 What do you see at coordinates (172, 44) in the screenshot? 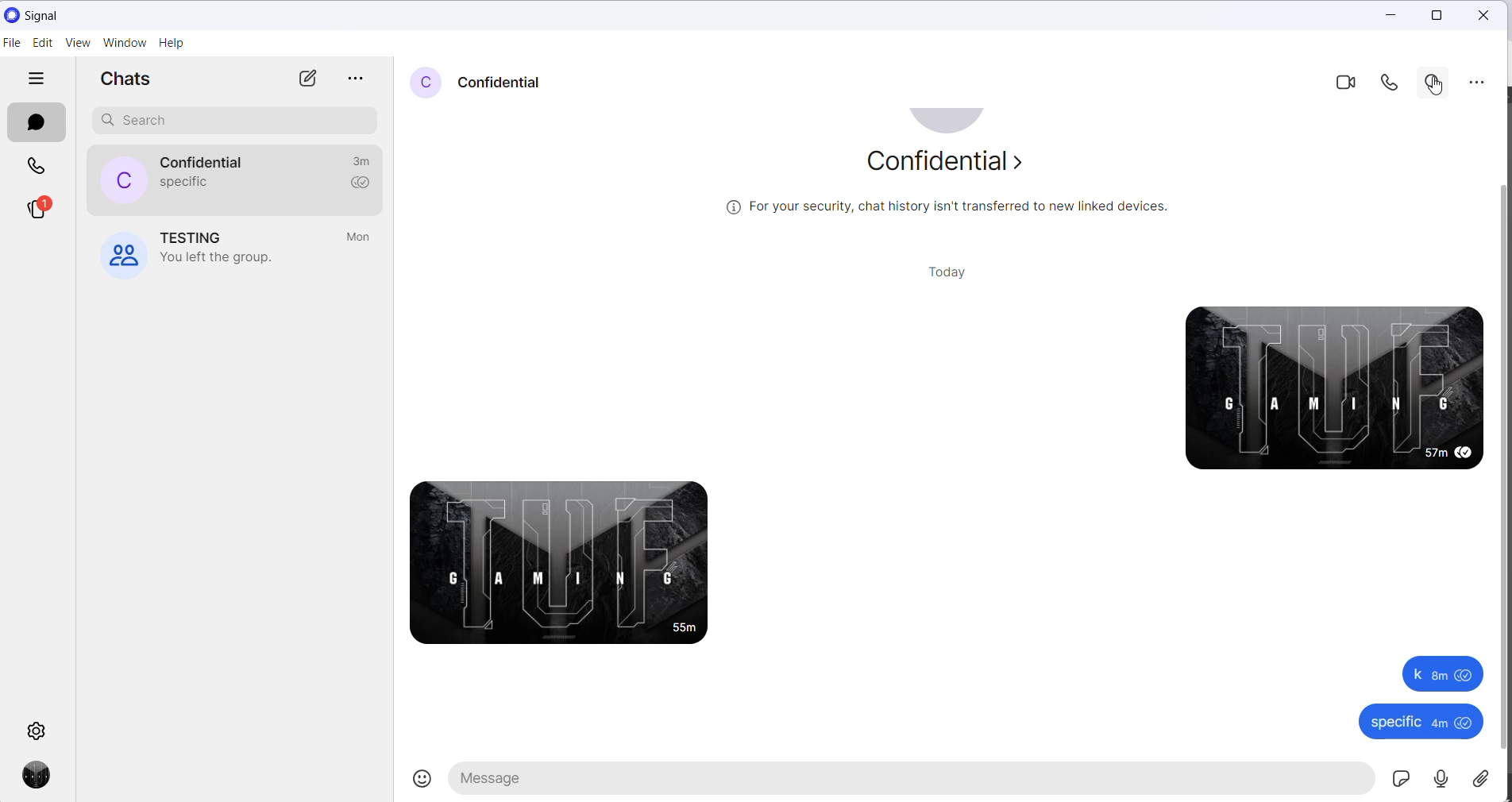
I see `help` at bounding box center [172, 44].